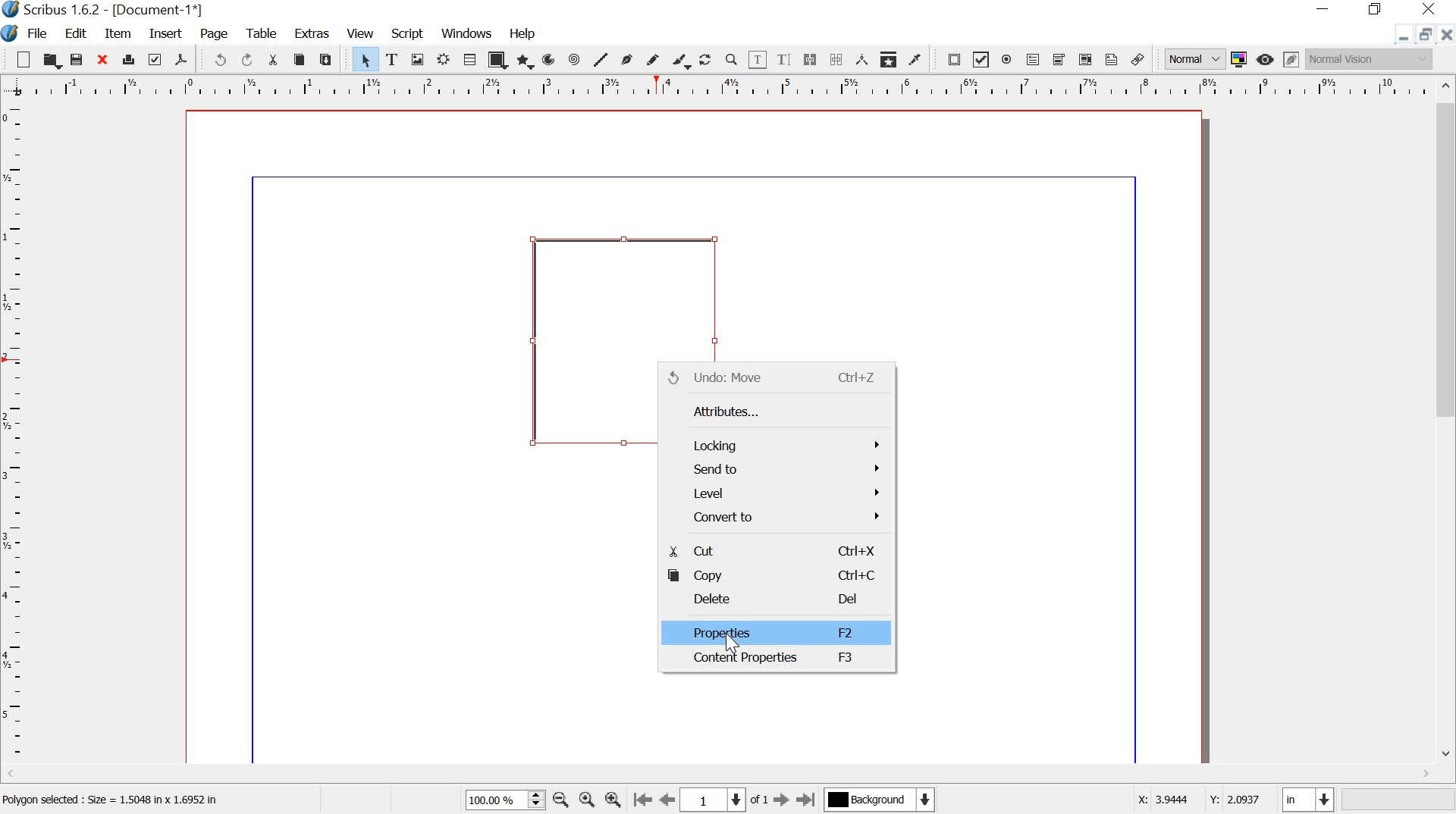 The image size is (1456, 814). Describe the element at coordinates (166, 34) in the screenshot. I see `insert` at that location.